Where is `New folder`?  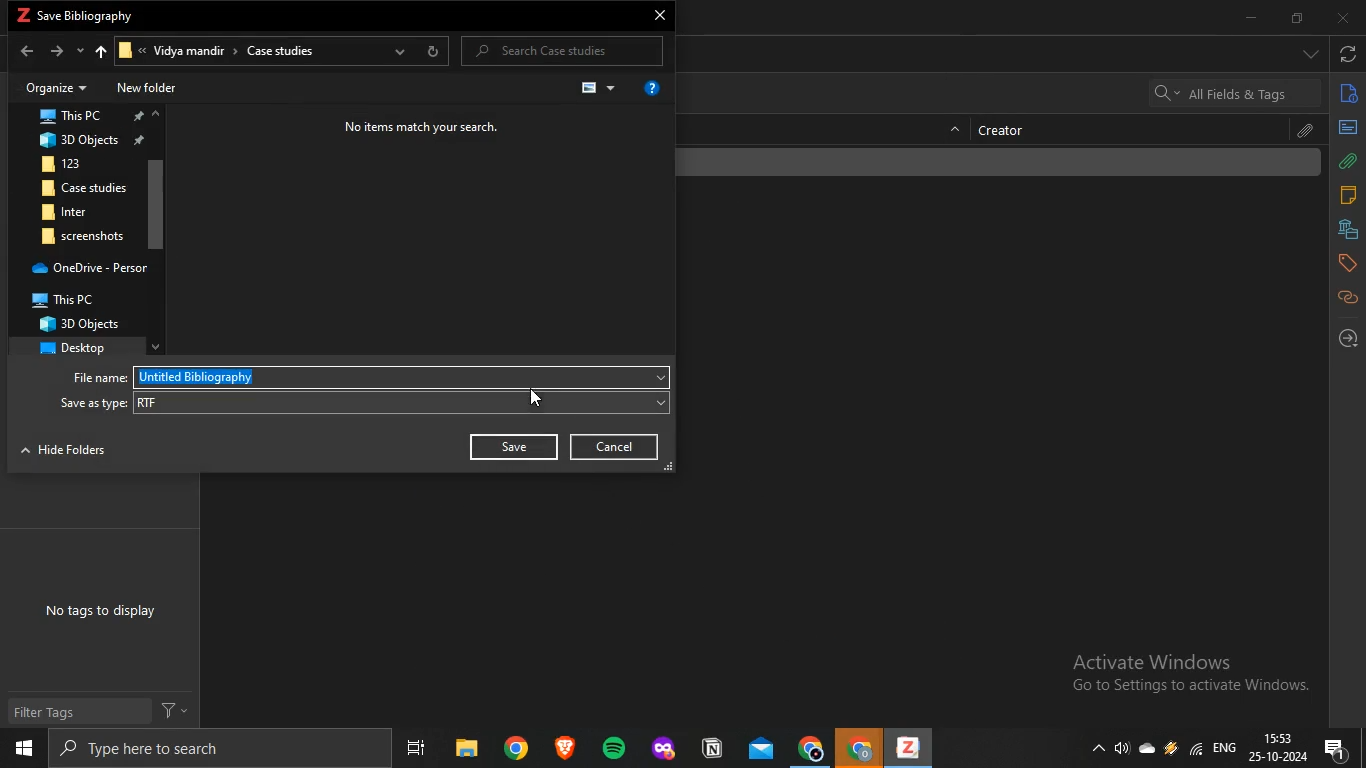 New folder is located at coordinates (154, 89).